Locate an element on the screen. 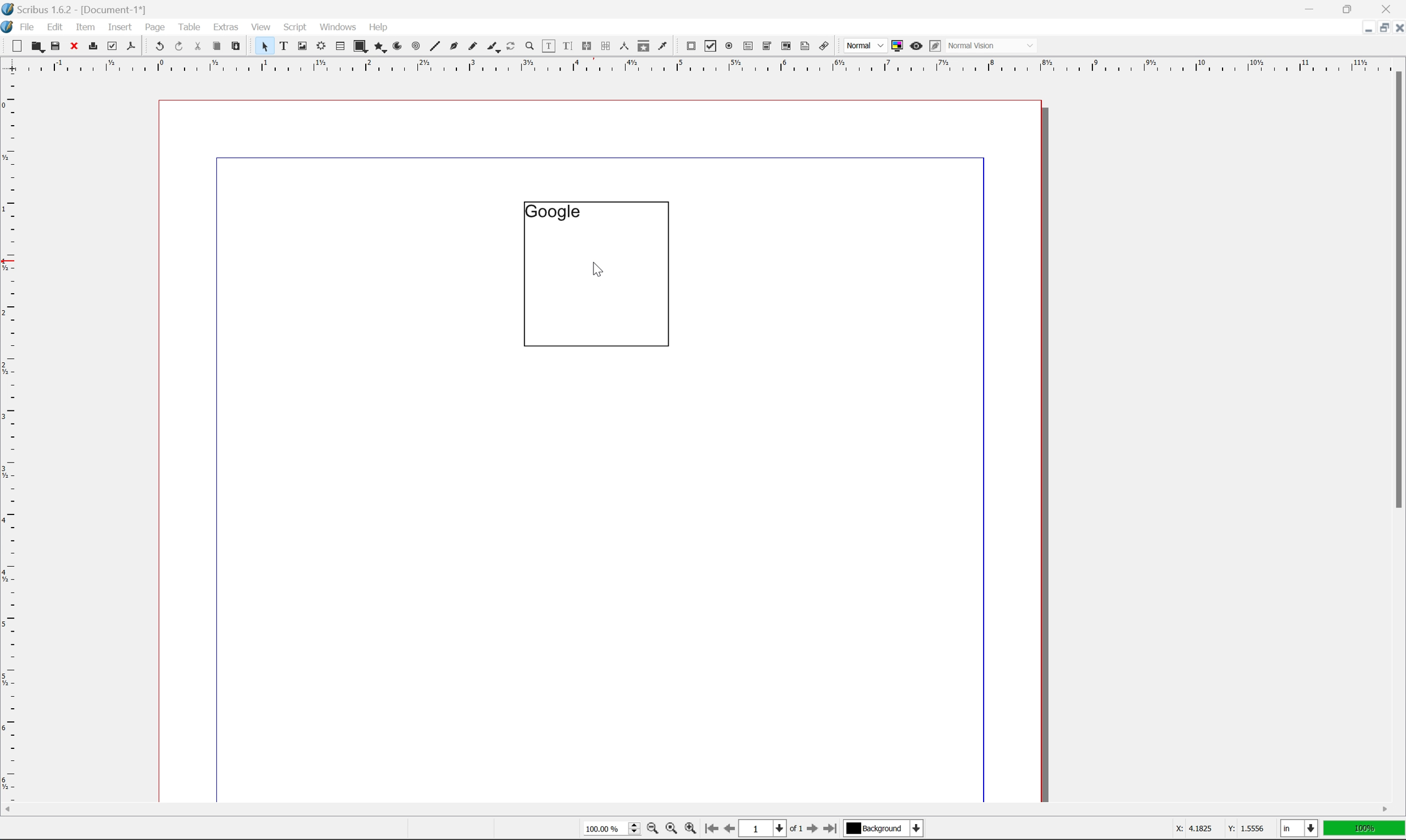 The height and width of the screenshot is (840, 1406). restore down is located at coordinates (1379, 28).